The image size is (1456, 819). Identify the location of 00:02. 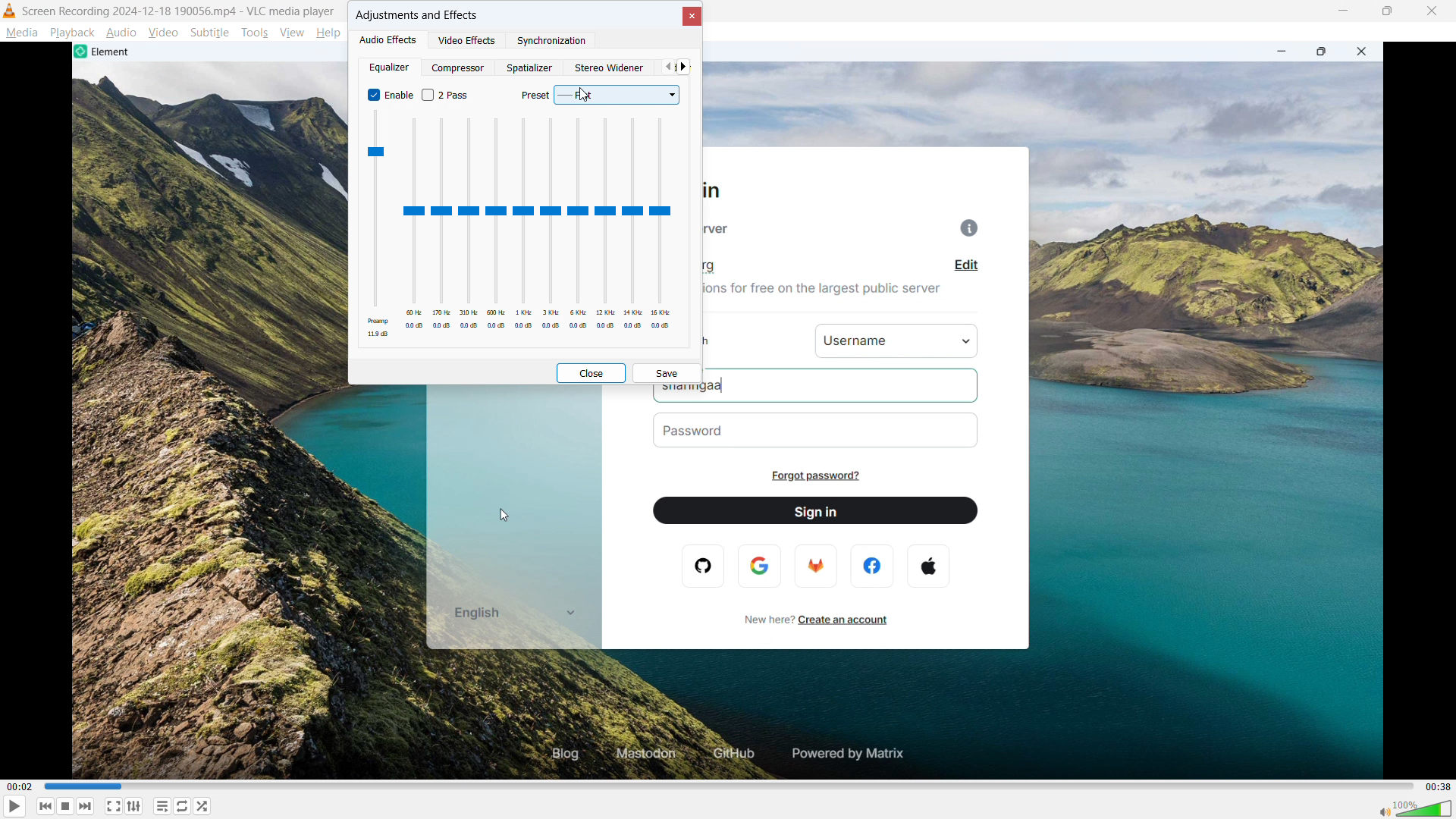
(42, 787).